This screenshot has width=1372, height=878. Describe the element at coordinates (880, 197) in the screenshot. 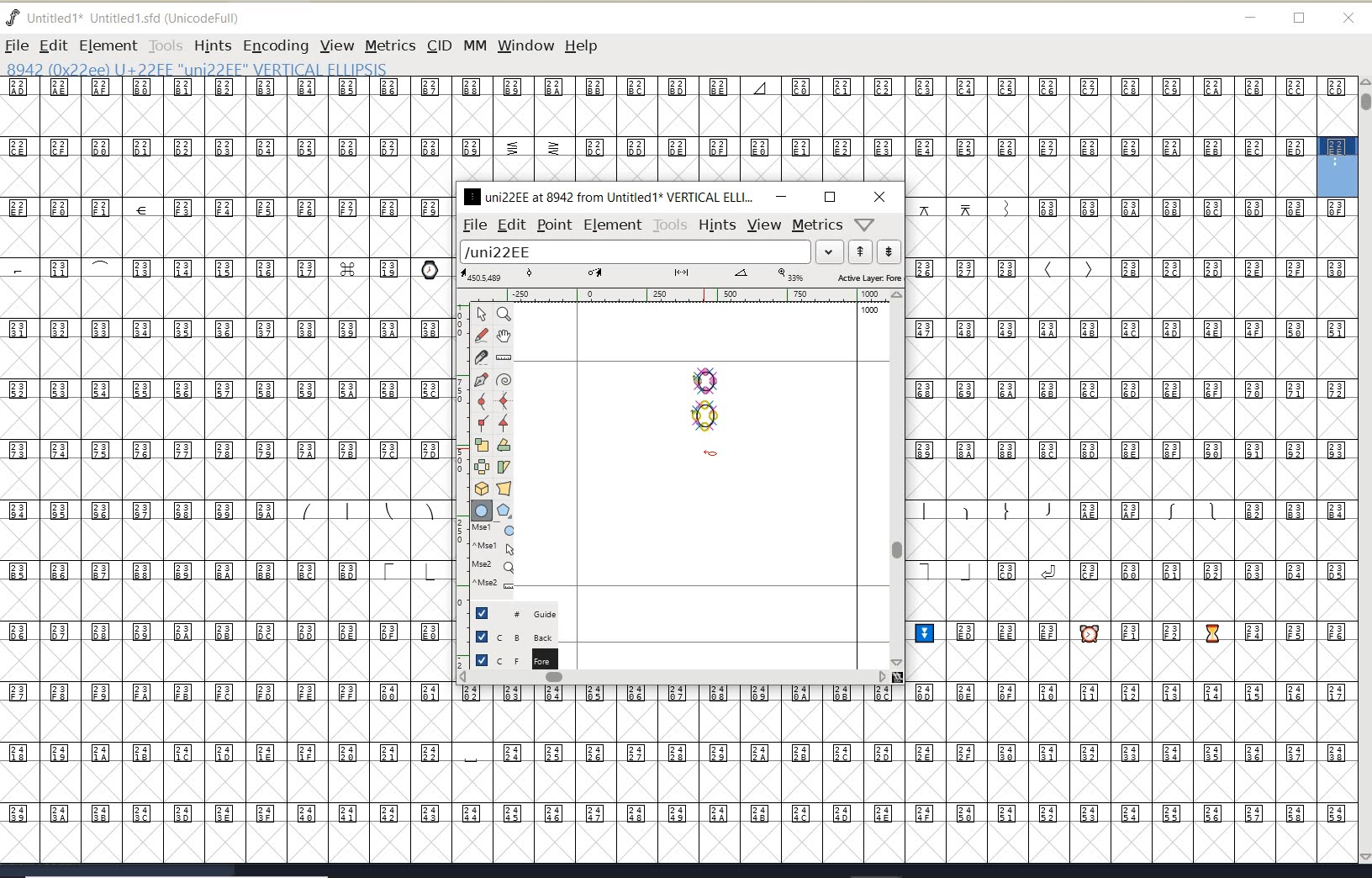

I see `close` at that location.